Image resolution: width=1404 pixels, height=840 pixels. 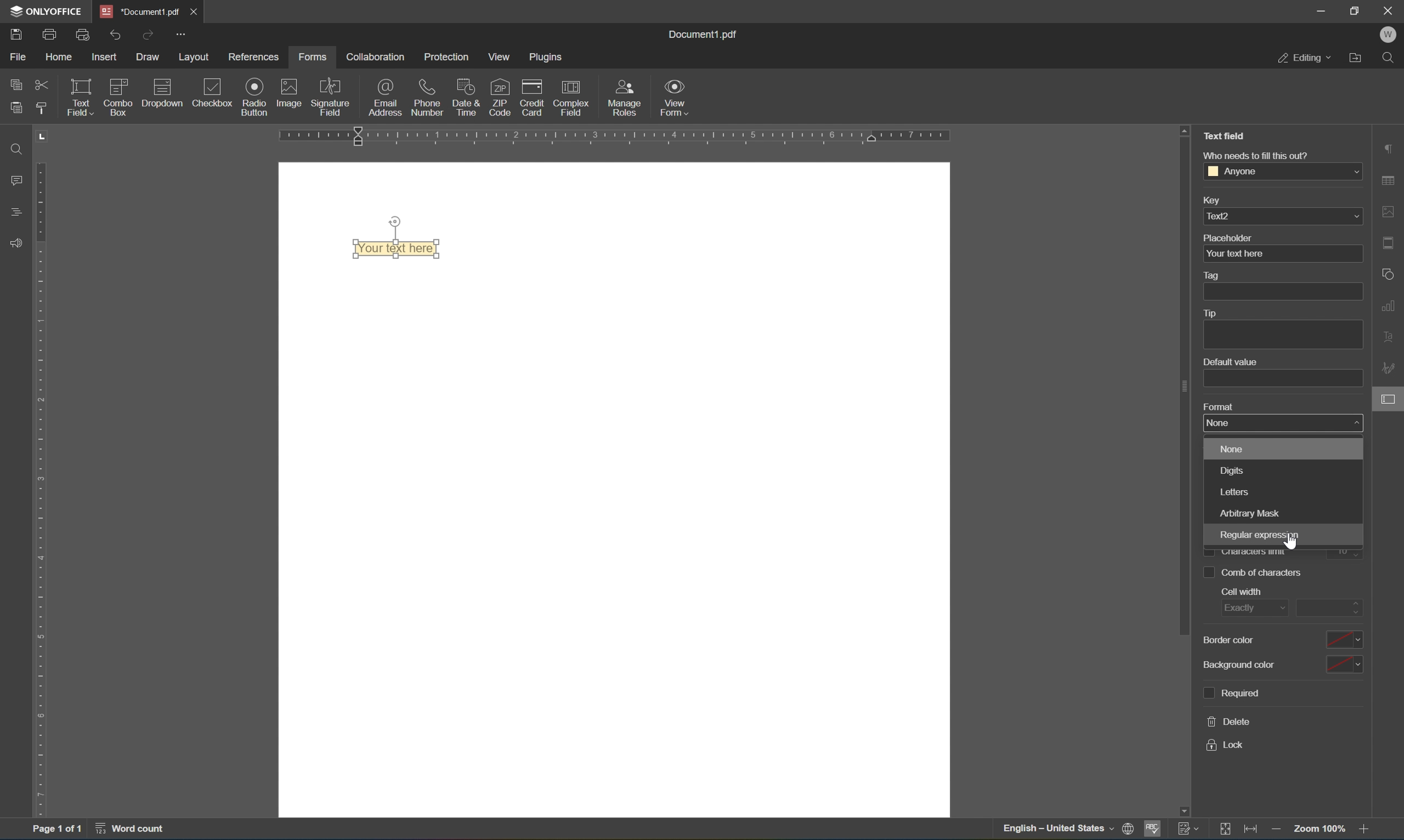 I want to click on image settings, so click(x=1388, y=209).